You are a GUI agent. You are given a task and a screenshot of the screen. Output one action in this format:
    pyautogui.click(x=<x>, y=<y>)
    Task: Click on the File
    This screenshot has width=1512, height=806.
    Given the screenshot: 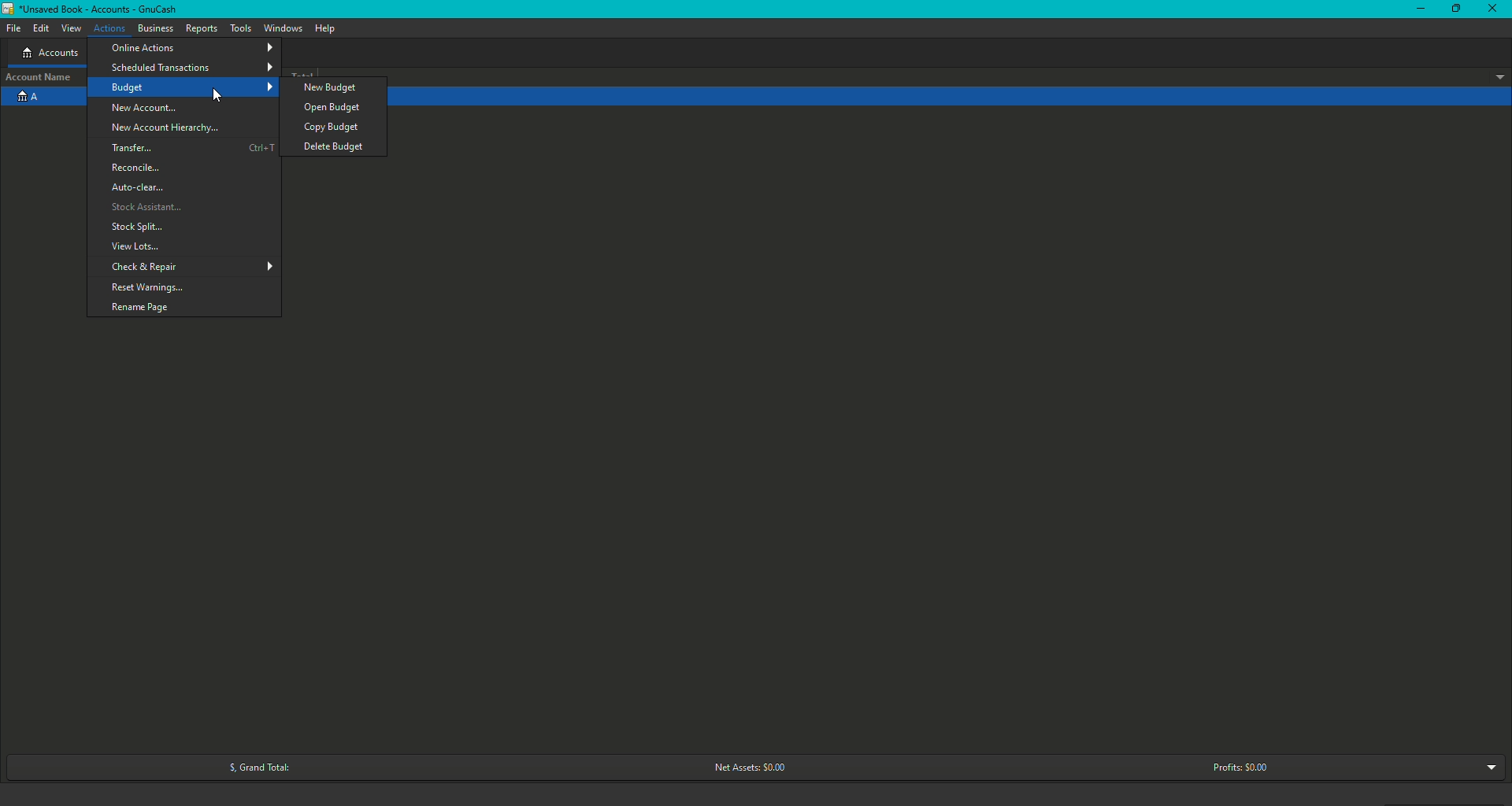 What is the action you would take?
    pyautogui.click(x=12, y=28)
    